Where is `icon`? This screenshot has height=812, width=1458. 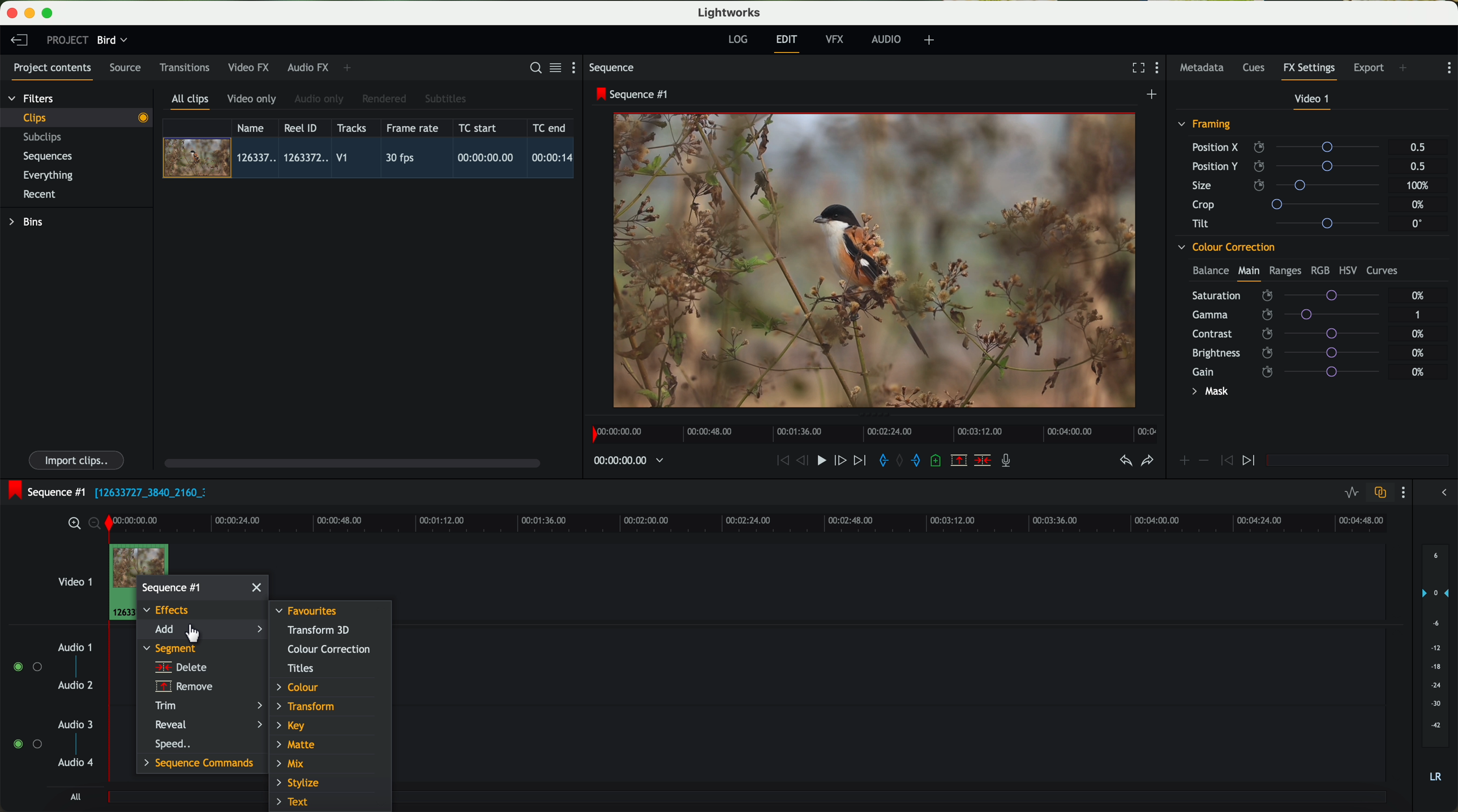
icon is located at coordinates (1203, 461).